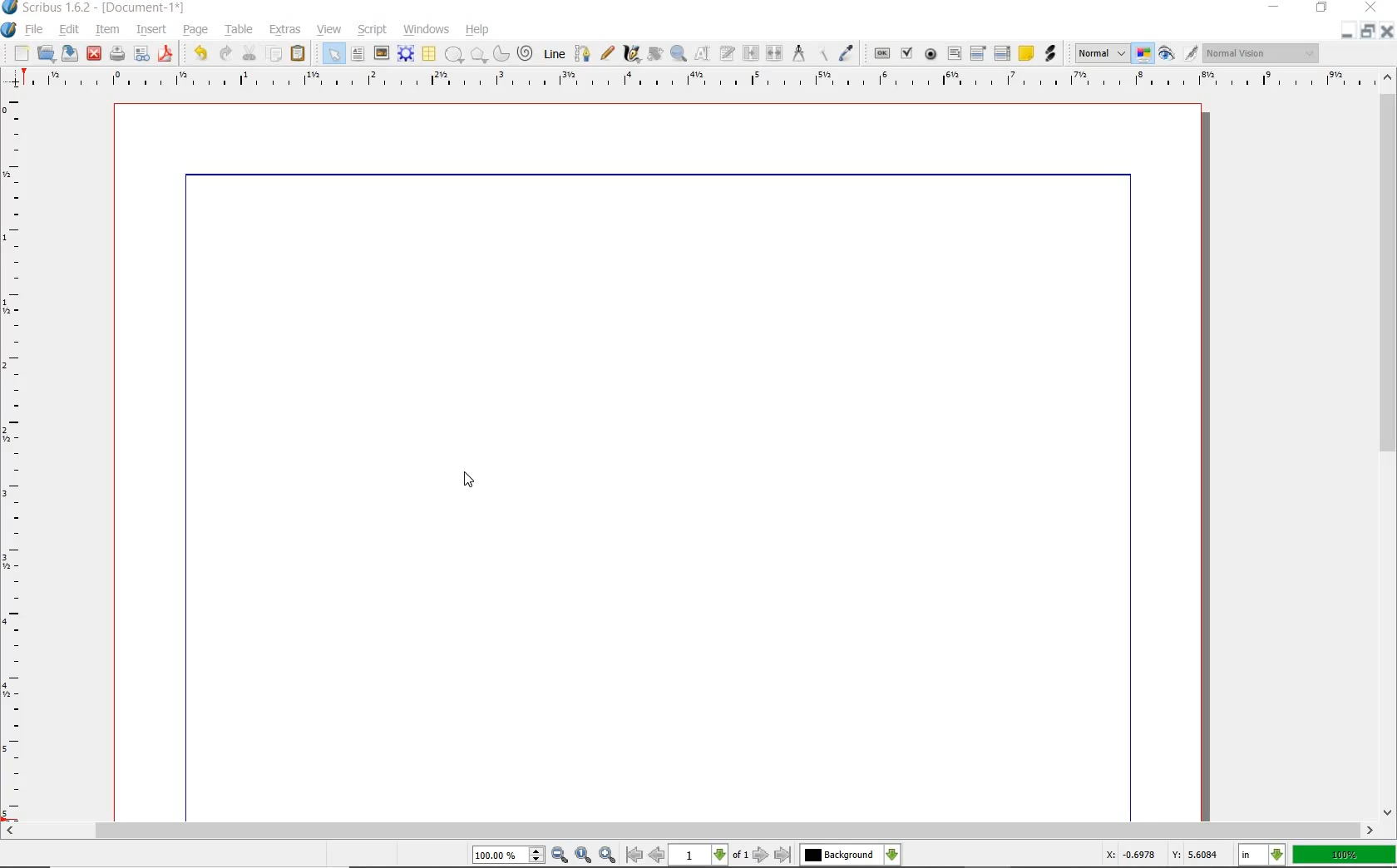 The height and width of the screenshot is (868, 1397). I want to click on first, so click(634, 855).